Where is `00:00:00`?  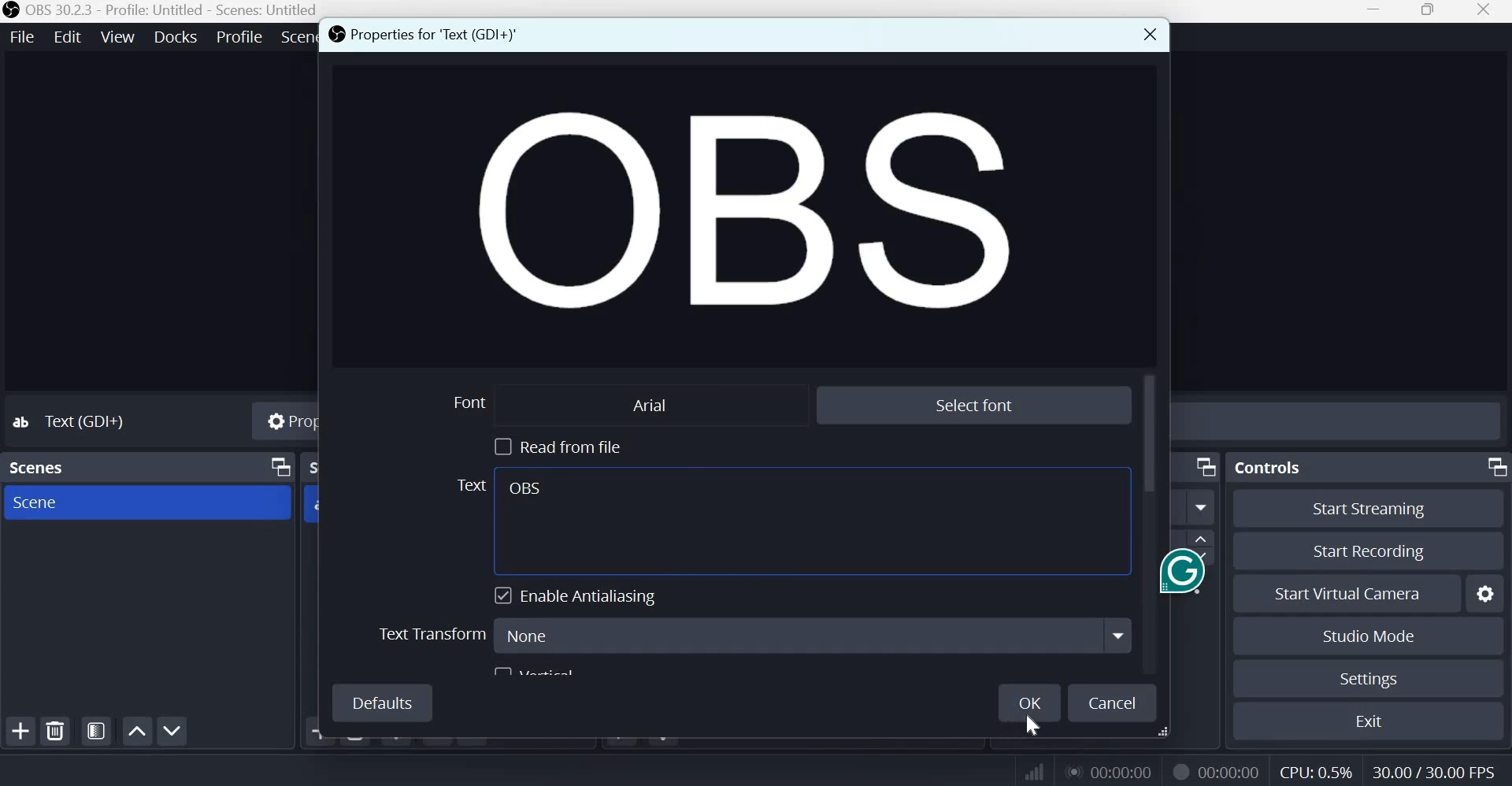
00:00:00 is located at coordinates (1229, 773).